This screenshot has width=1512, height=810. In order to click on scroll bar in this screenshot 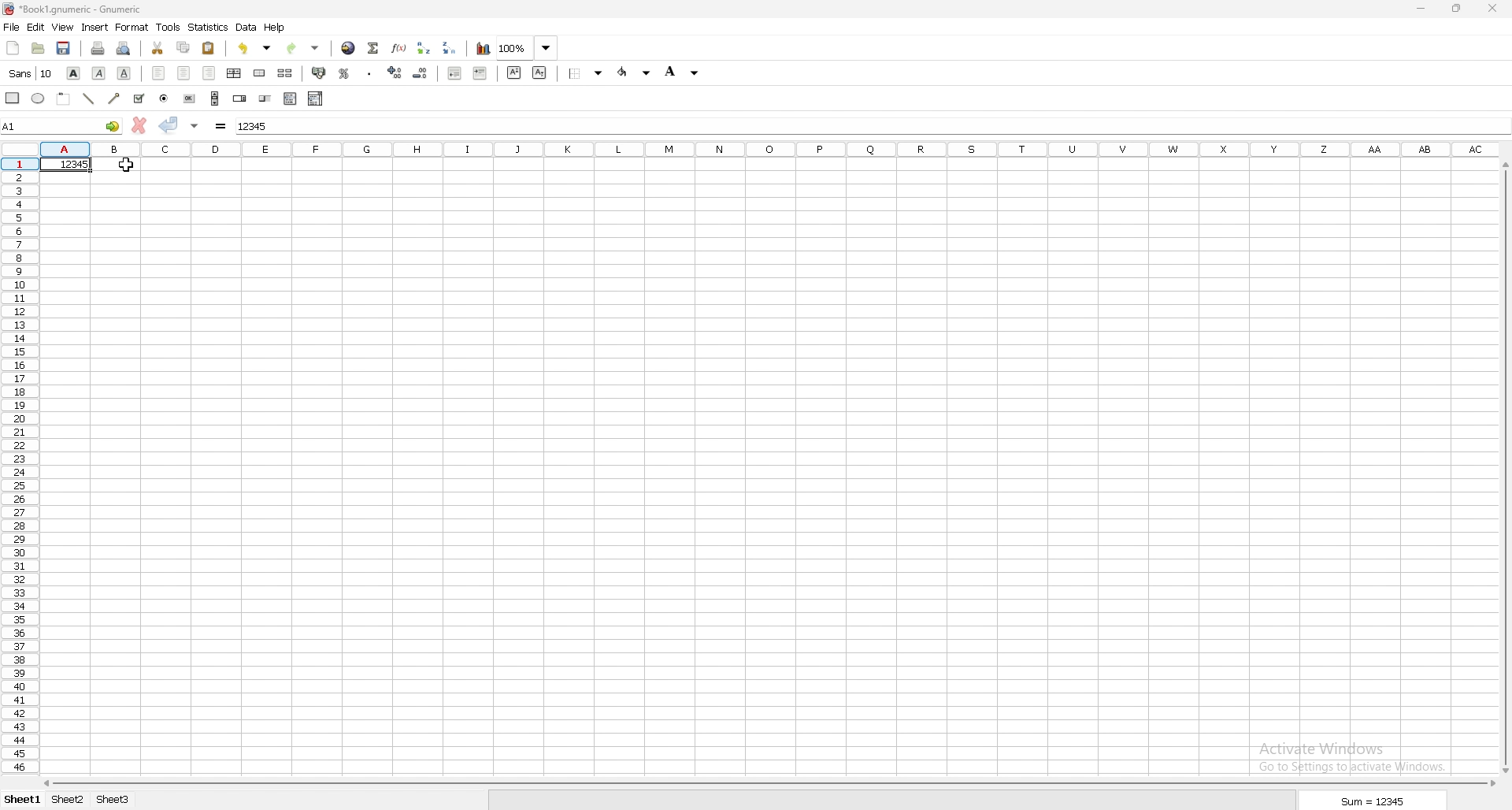, I will do `click(215, 98)`.